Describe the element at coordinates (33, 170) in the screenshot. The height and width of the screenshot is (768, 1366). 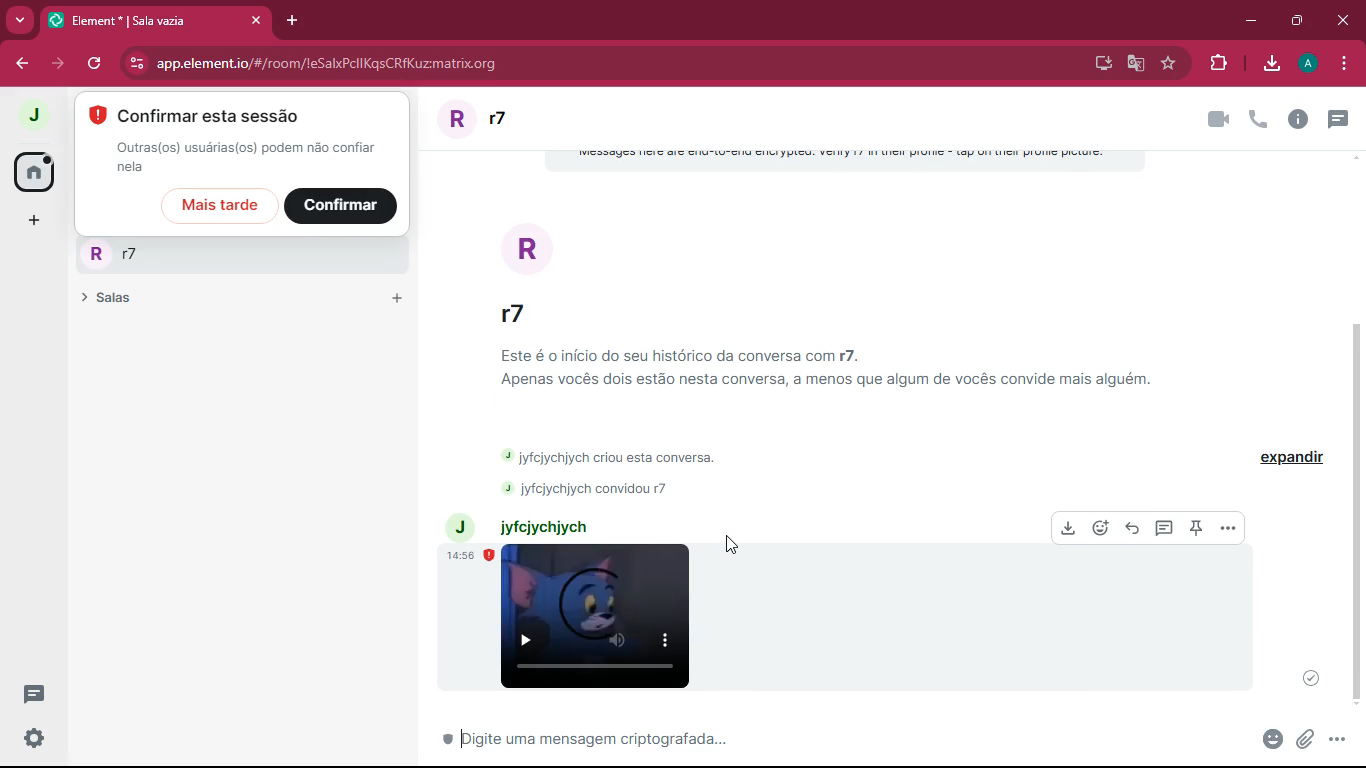
I see `home` at that location.